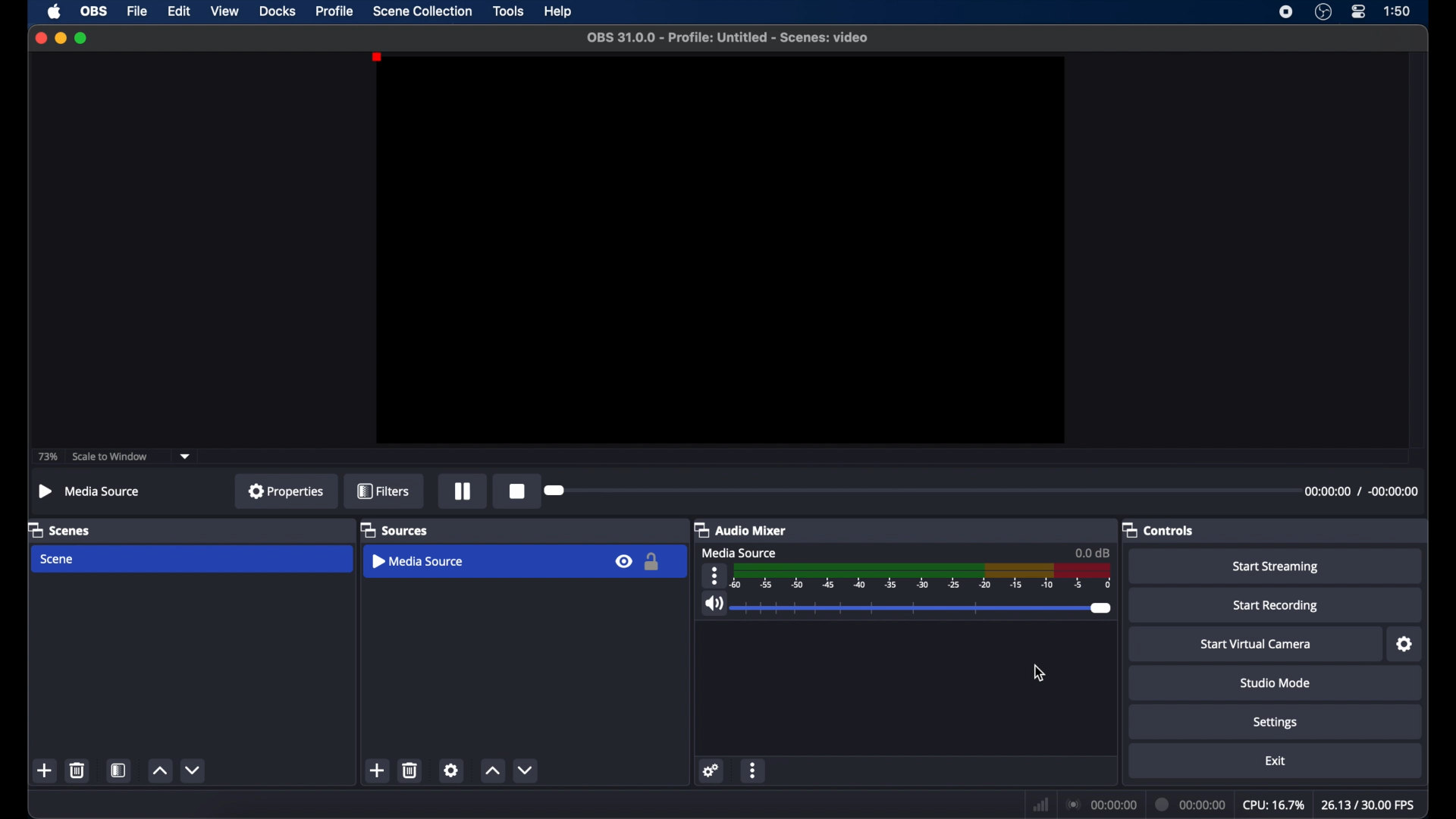  I want to click on Properties, so click(286, 493).